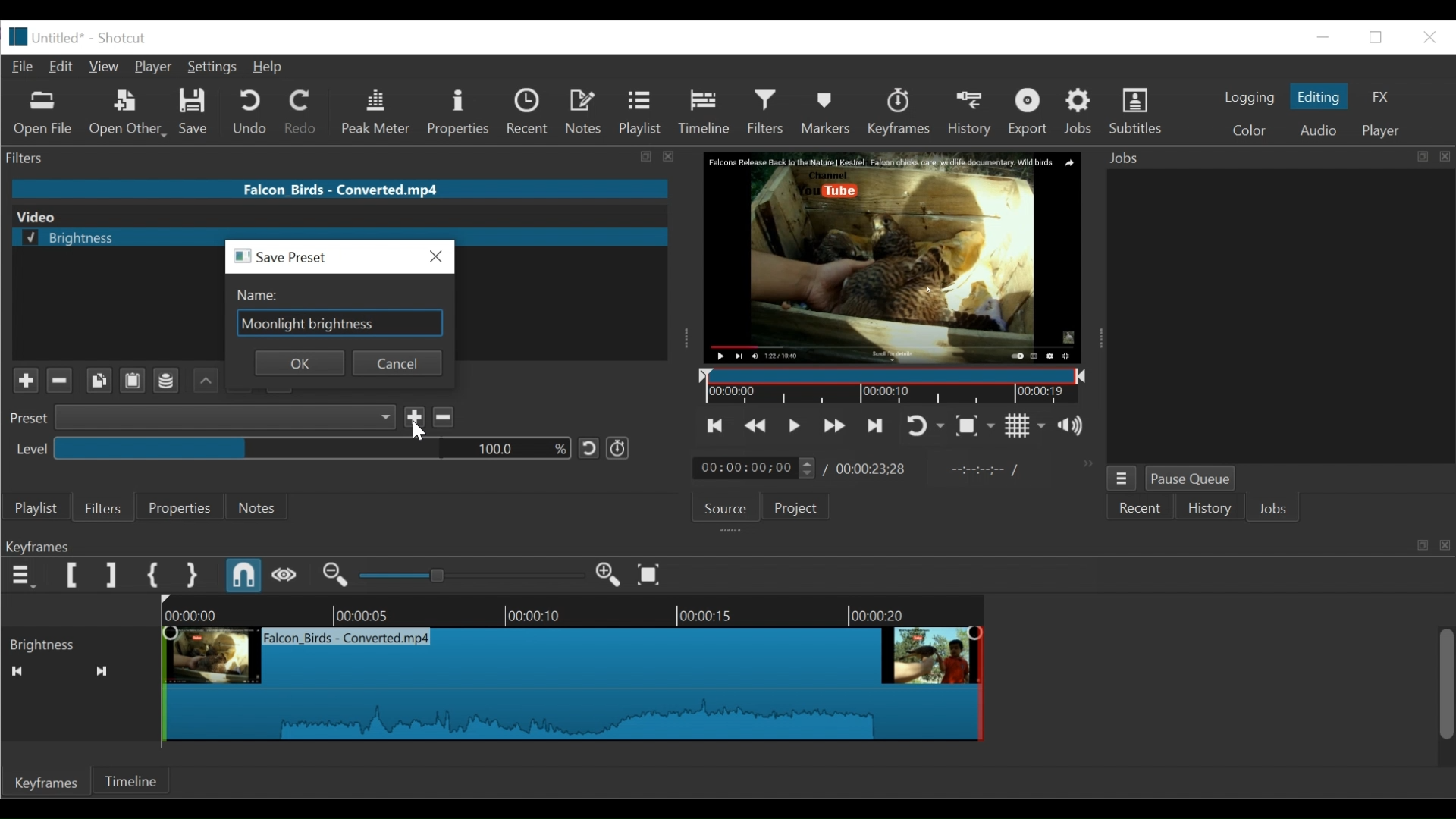 The height and width of the screenshot is (819, 1456). Describe the element at coordinates (444, 417) in the screenshot. I see `Delete` at that location.